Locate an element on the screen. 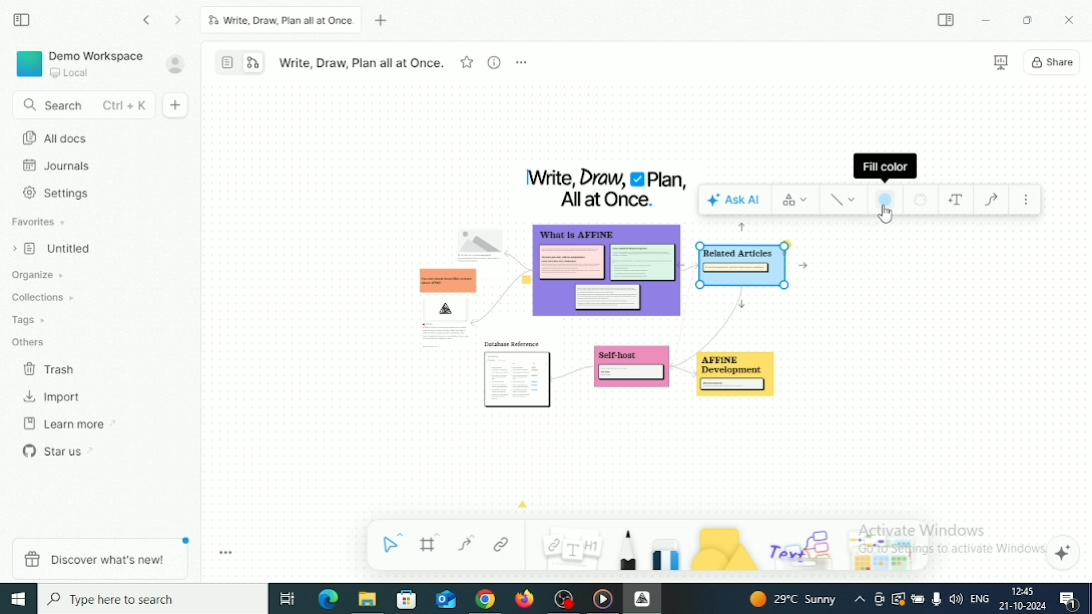 The width and height of the screenshot is (1092, 614). More is located at coordinates (1026, 200).